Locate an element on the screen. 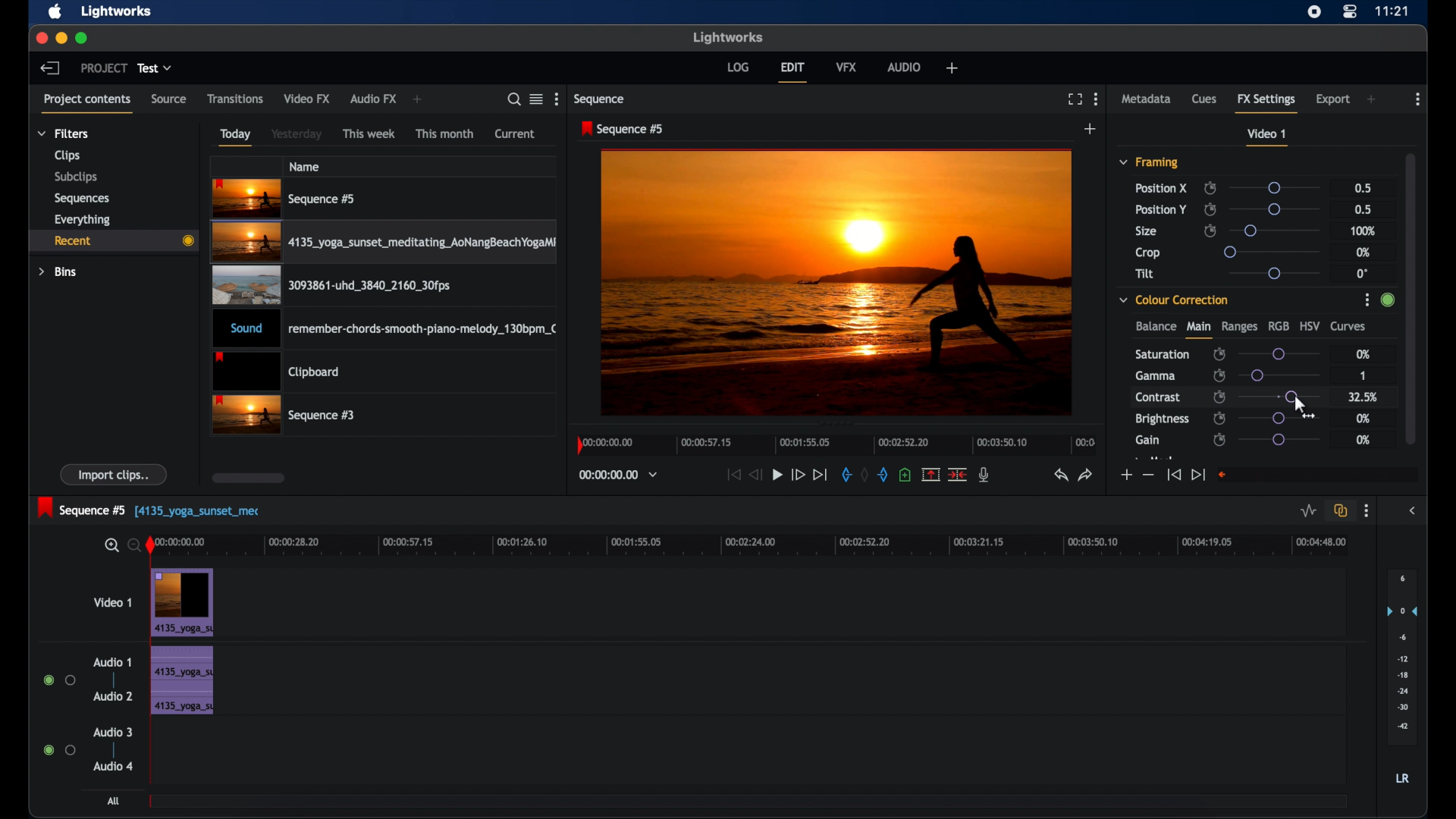  options is located at coordinates (1362, 302).